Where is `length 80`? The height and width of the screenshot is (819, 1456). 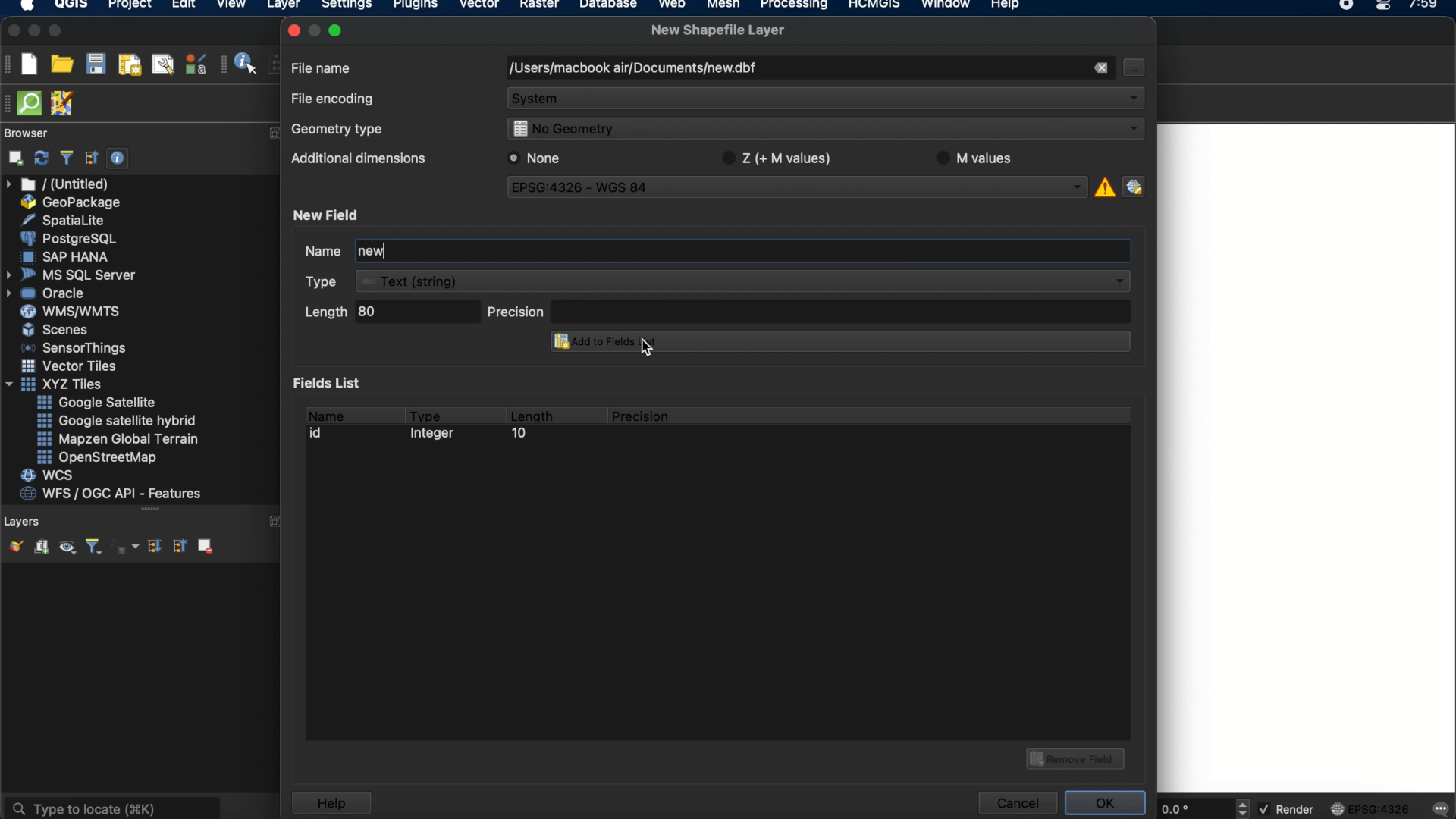 length 80 is located at coordinates (389, 314).